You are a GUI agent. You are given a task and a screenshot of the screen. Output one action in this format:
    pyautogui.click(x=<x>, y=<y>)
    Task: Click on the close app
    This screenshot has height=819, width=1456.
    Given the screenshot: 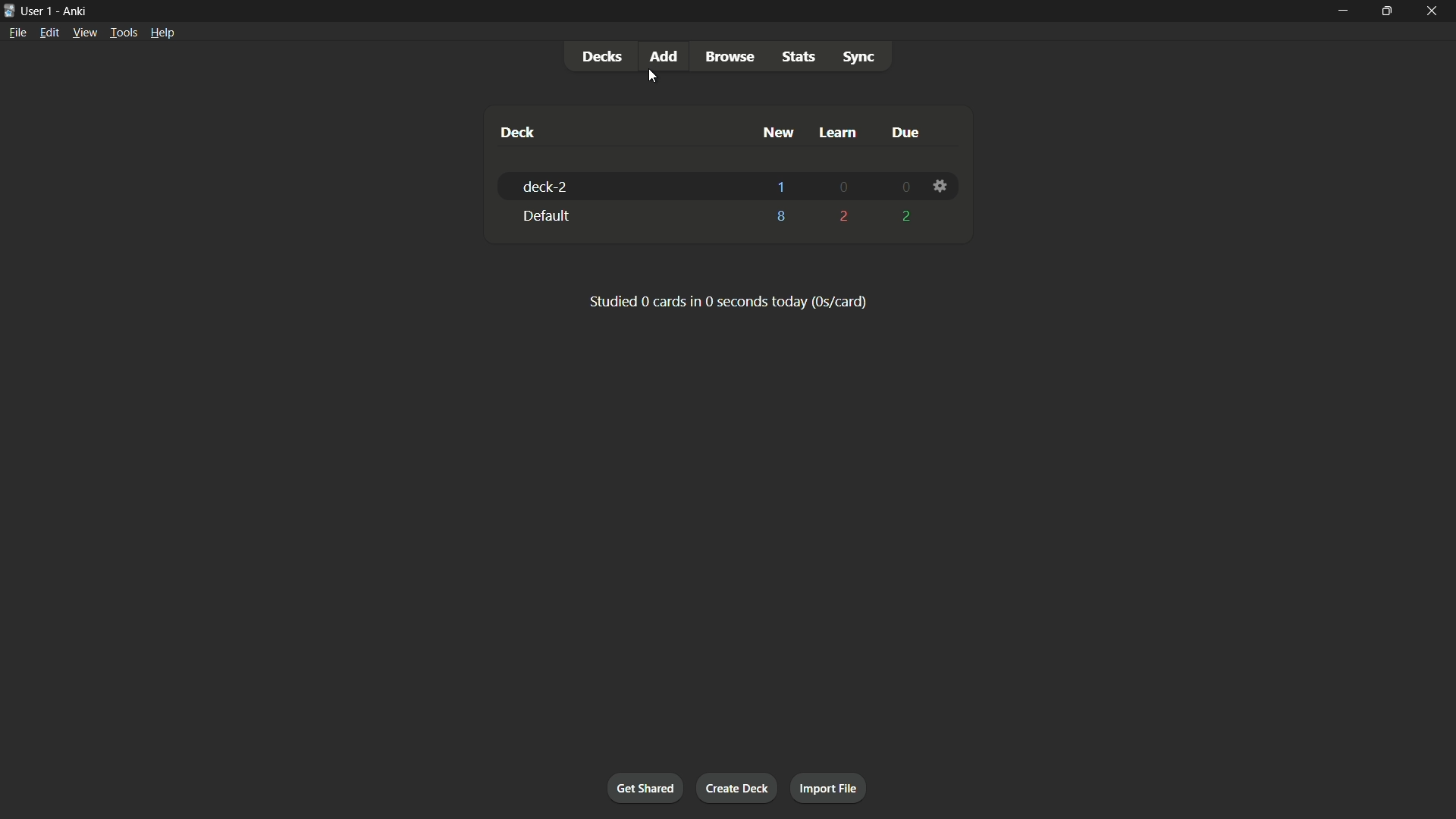 What is the action you would take?
    pyautogui.click(x=1432, y=11)
    